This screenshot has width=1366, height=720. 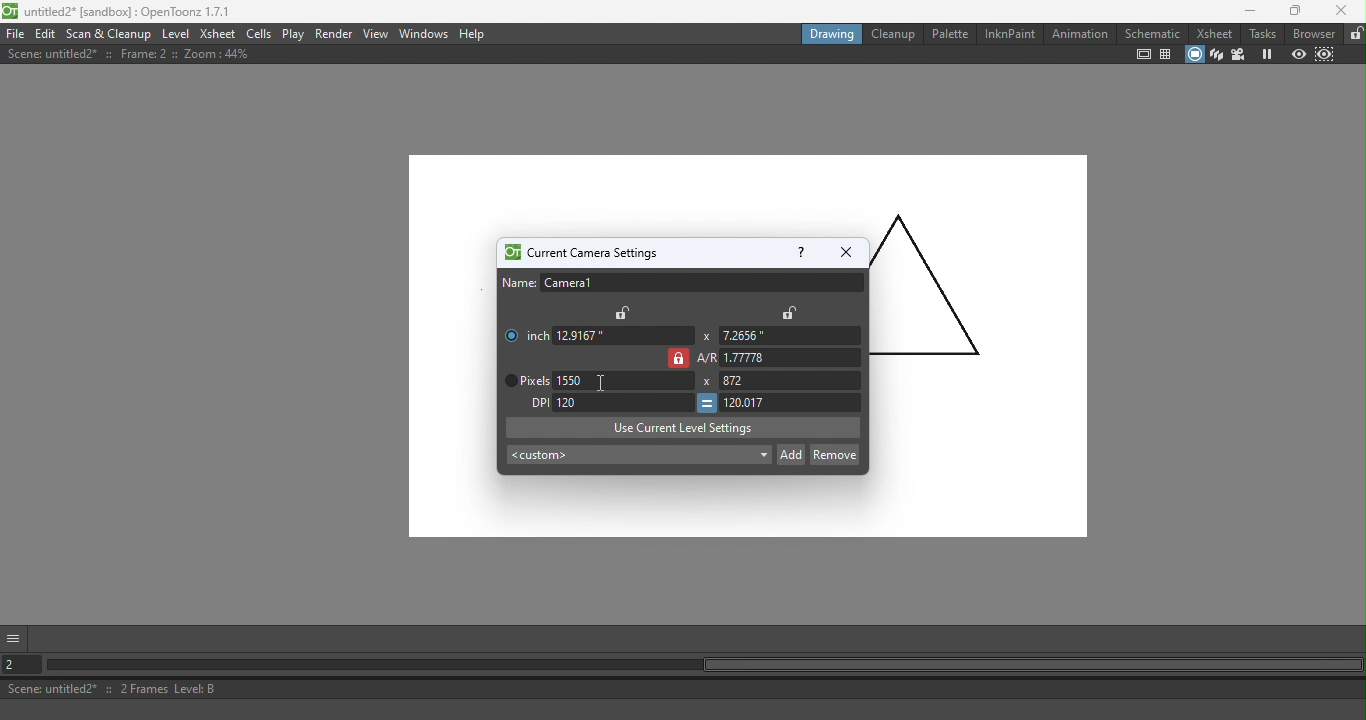 What do you see at coordinates (796, 380) in the screenshot?
I see `Enter pixels` at bounding box center [796, 380].